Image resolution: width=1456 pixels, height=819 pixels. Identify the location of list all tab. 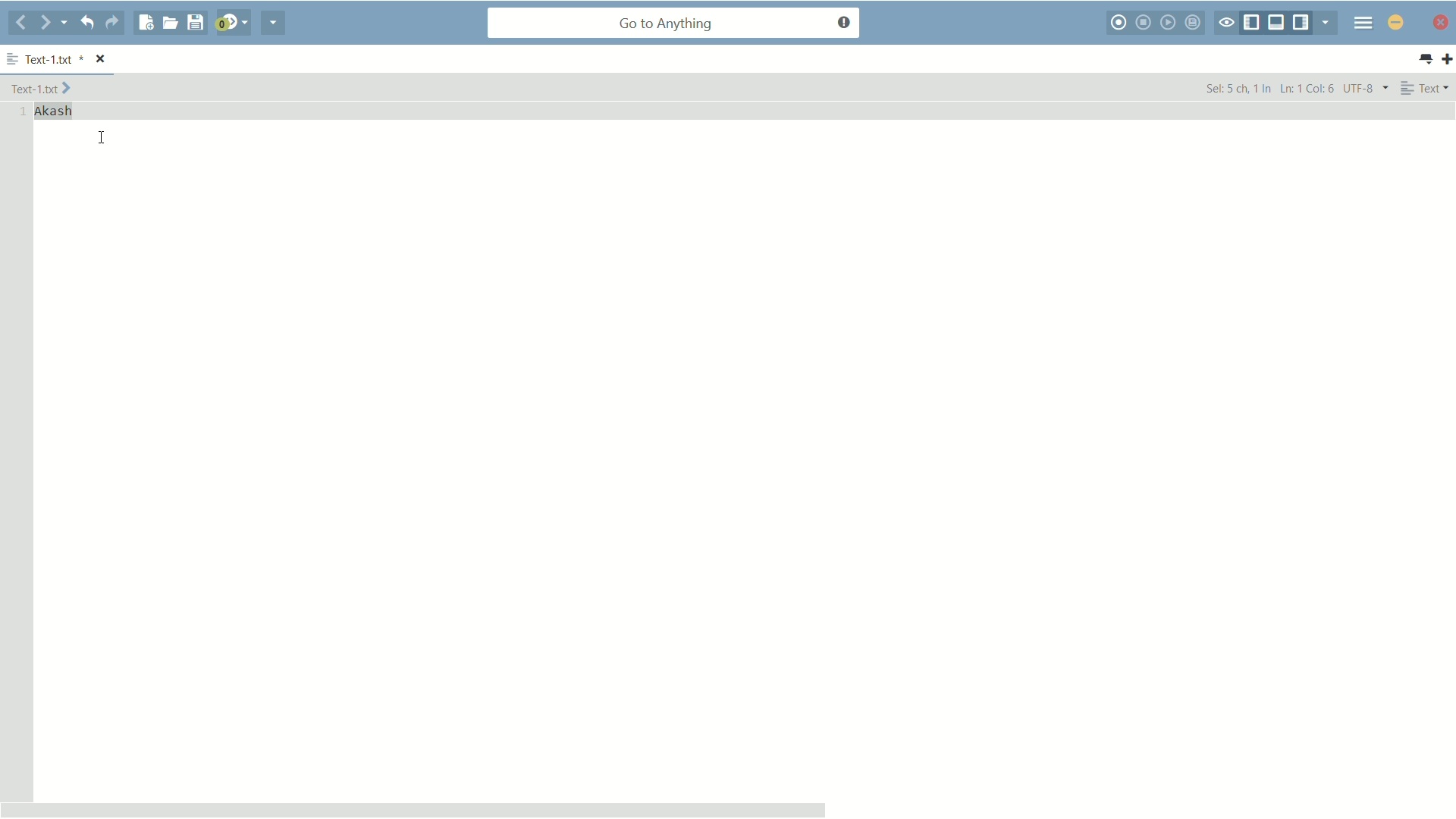
(1425, 59).